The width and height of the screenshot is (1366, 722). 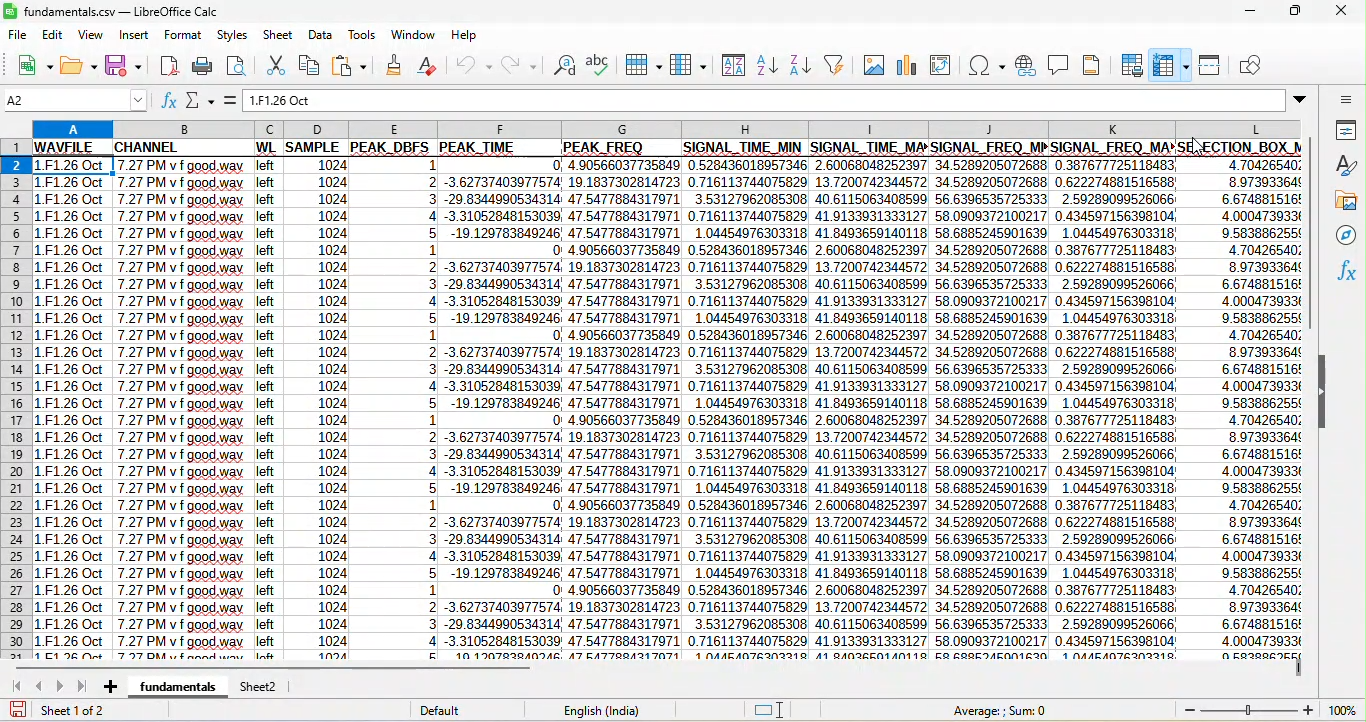 What do you see at coordinates (782, 97) in the screenshot?
I see `formula bar` at bounding box center [782, 97].